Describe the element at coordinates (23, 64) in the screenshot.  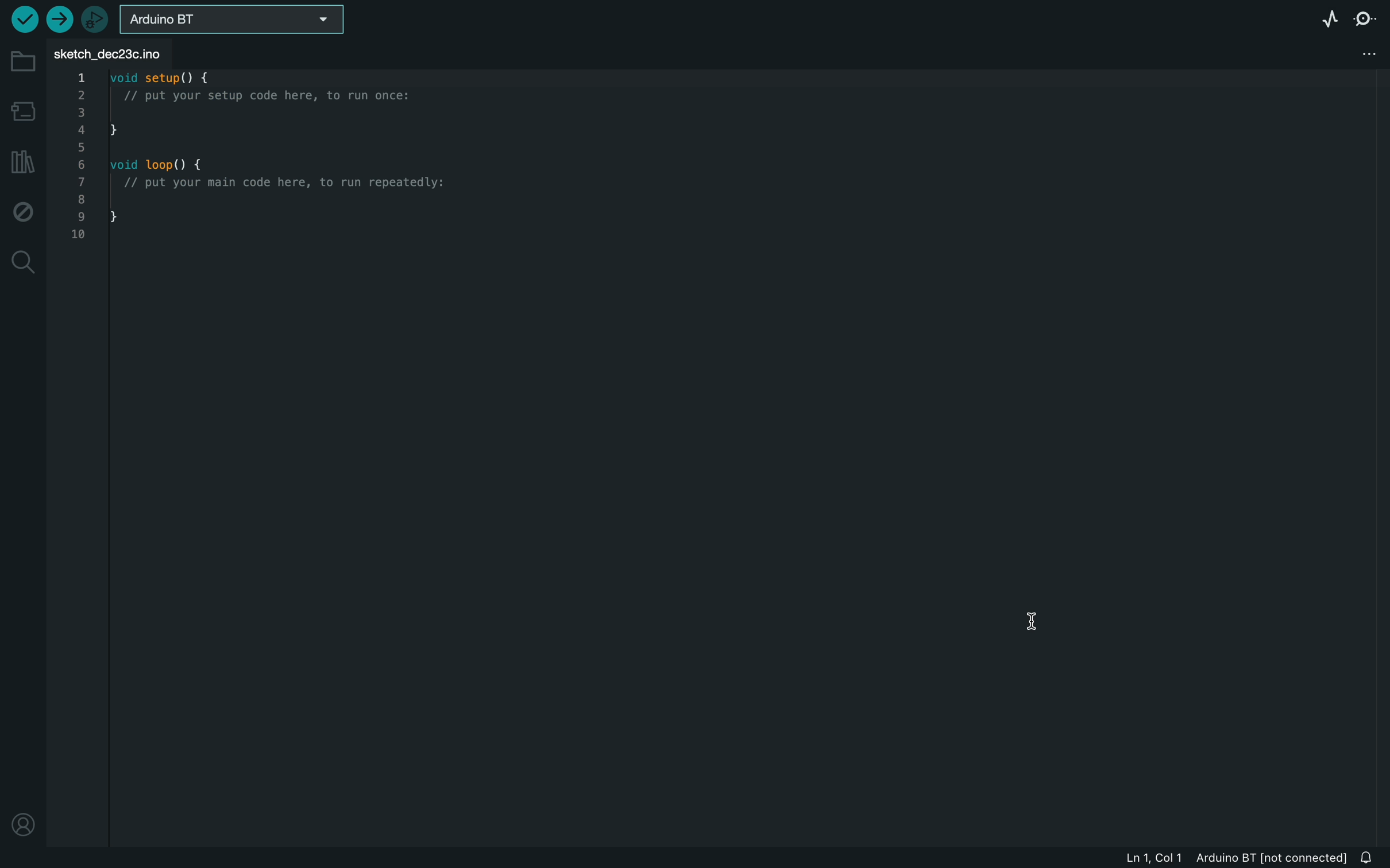
I see `folder` at that location.